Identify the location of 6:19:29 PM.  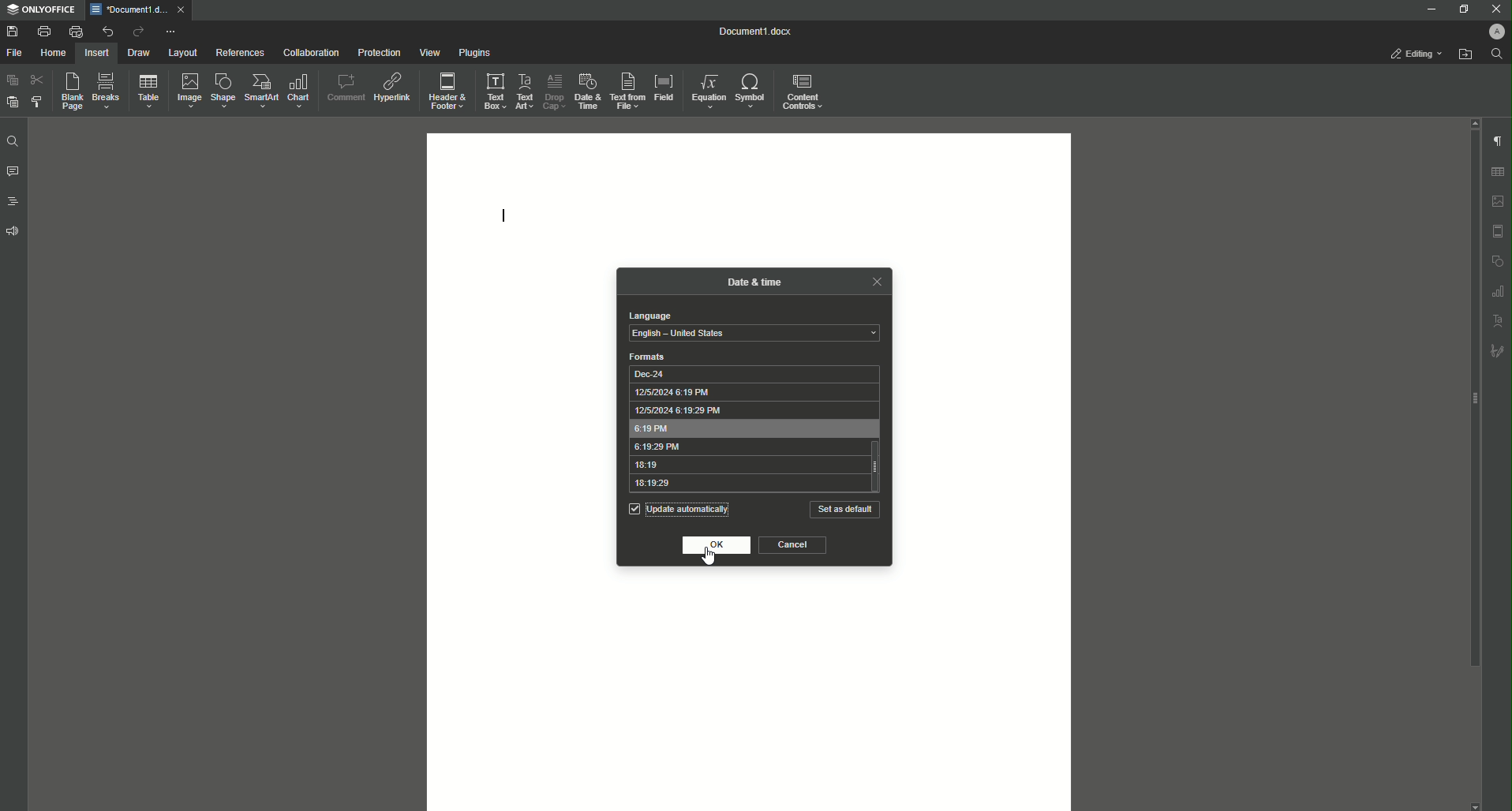
(746, 447).